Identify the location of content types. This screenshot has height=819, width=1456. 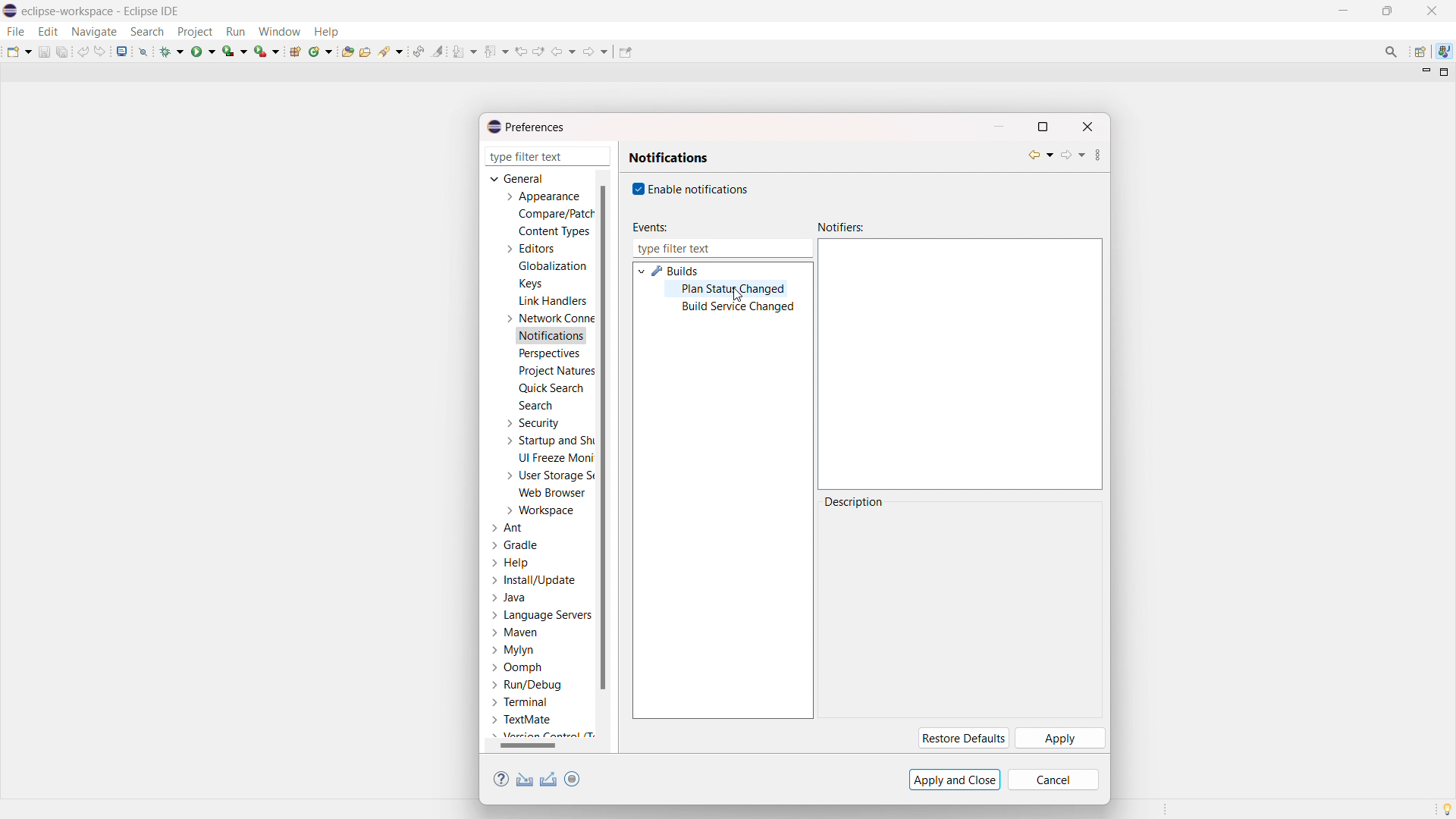
(555, 231).